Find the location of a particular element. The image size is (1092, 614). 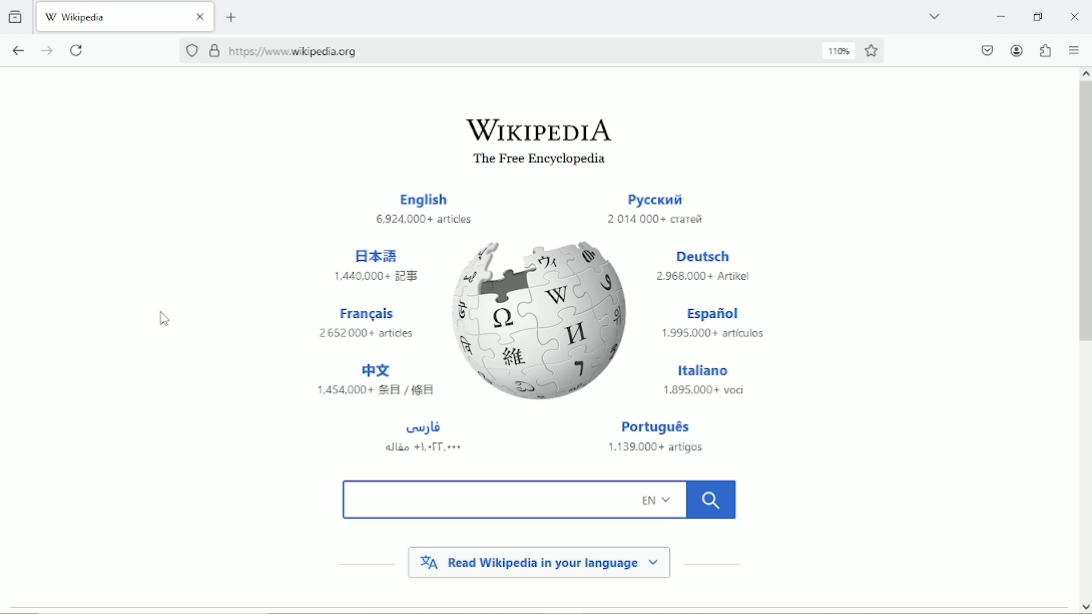

View recent browsing is located at coordinates (16, 16).